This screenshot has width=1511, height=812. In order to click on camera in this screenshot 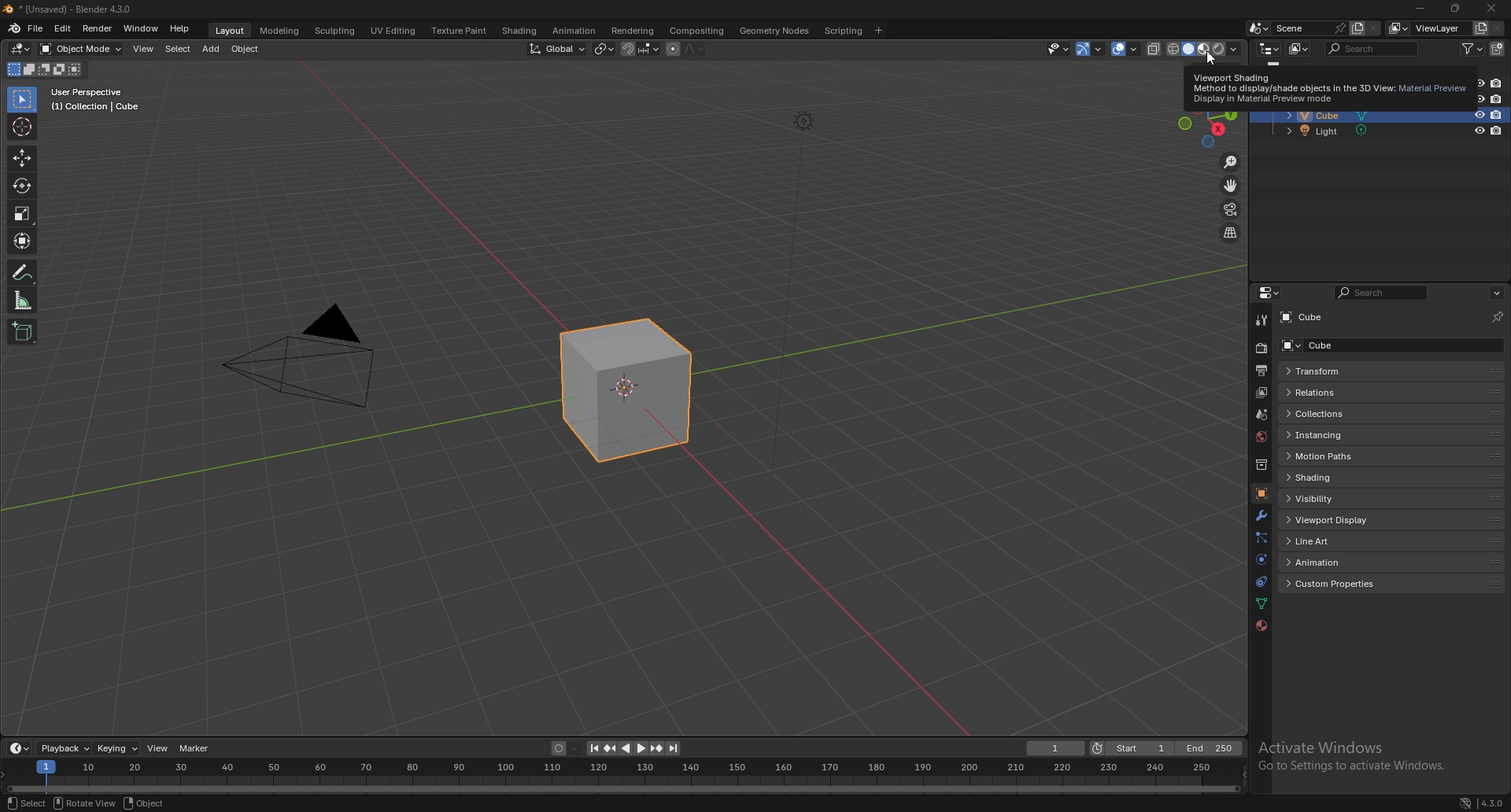, I will do `click(309, 357)`.